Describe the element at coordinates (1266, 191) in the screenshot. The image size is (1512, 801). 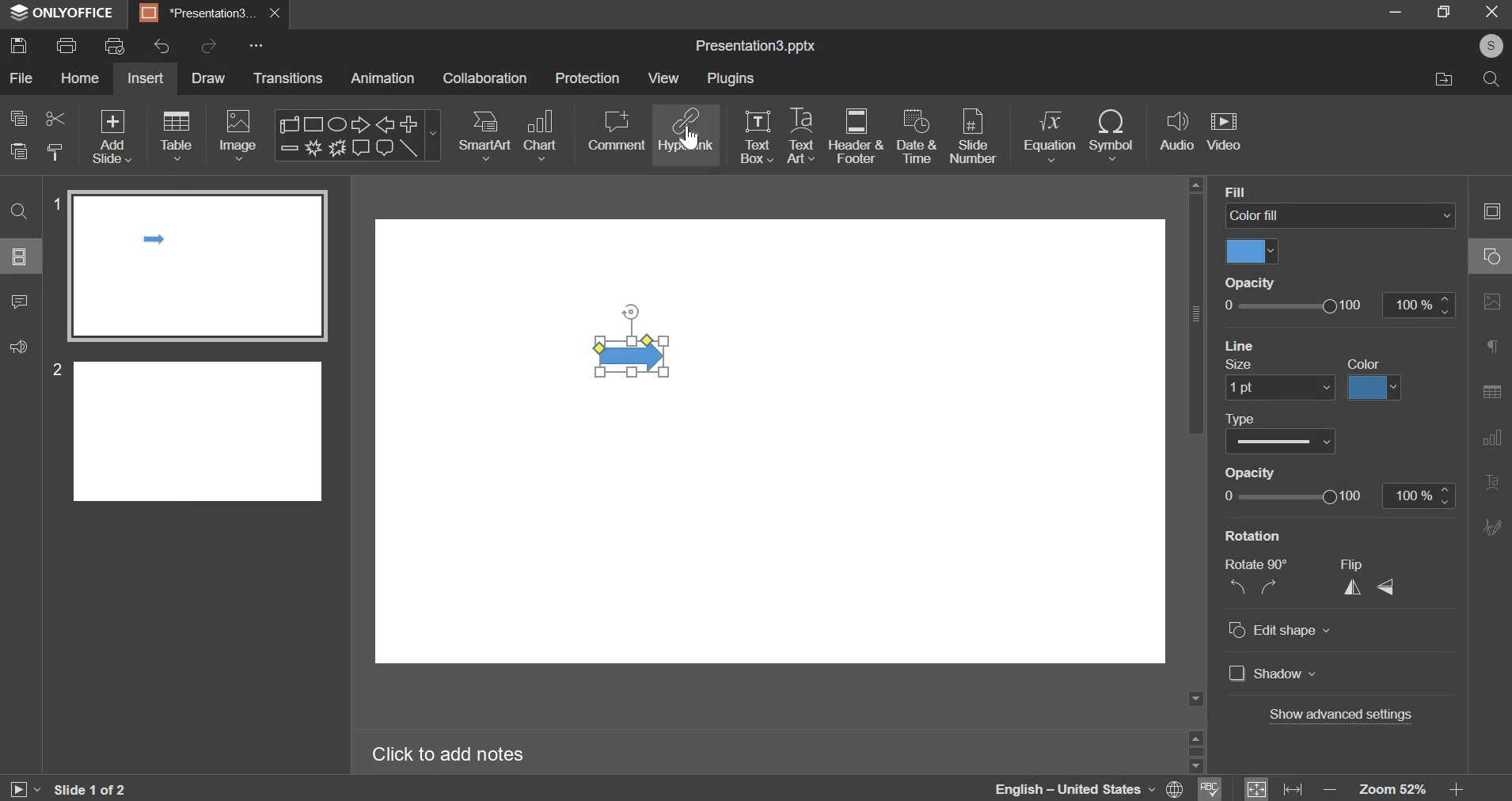
I see `background` at that location.